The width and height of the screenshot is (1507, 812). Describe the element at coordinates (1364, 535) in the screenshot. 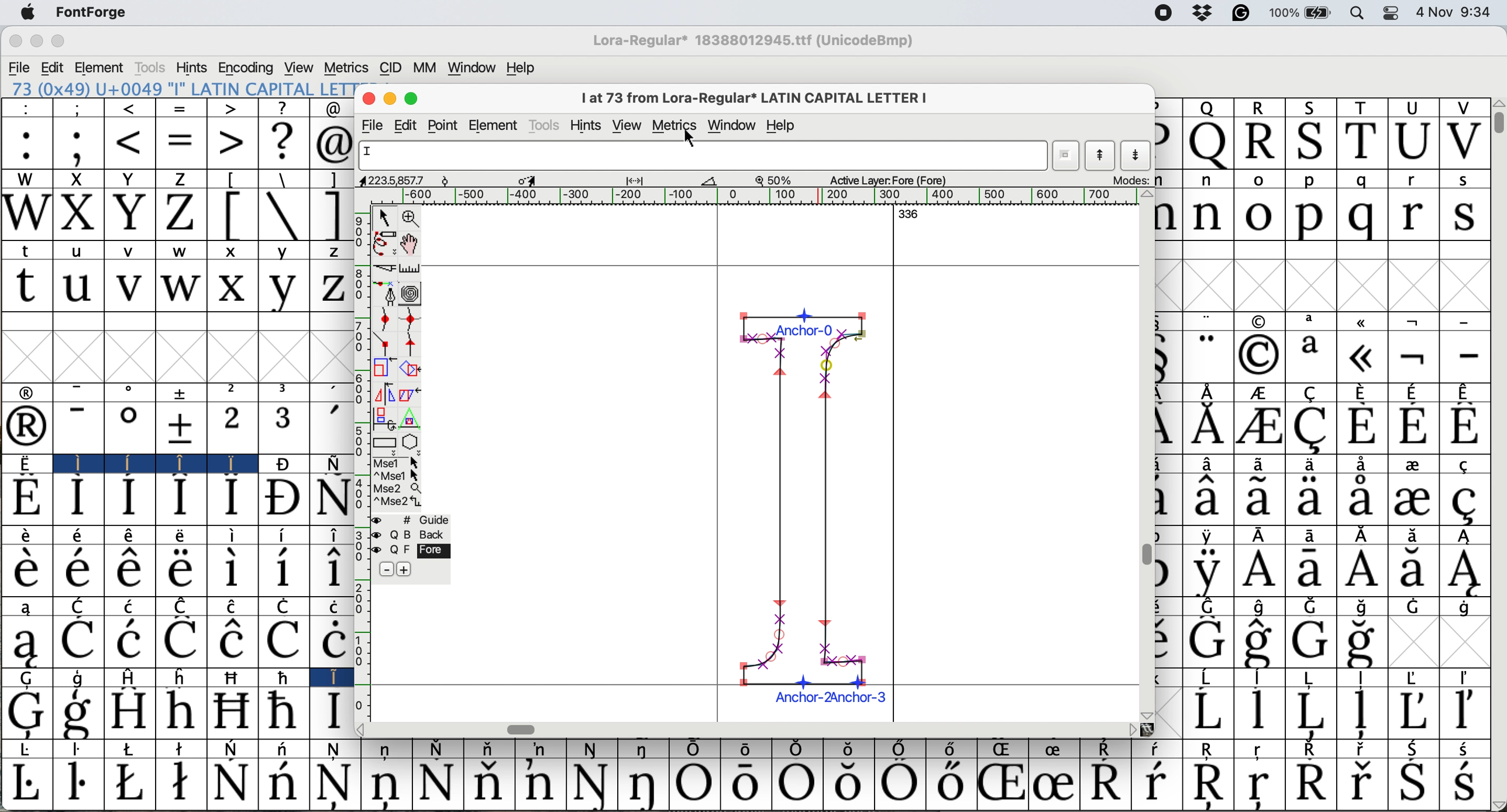

I see `Symbol` at that location.